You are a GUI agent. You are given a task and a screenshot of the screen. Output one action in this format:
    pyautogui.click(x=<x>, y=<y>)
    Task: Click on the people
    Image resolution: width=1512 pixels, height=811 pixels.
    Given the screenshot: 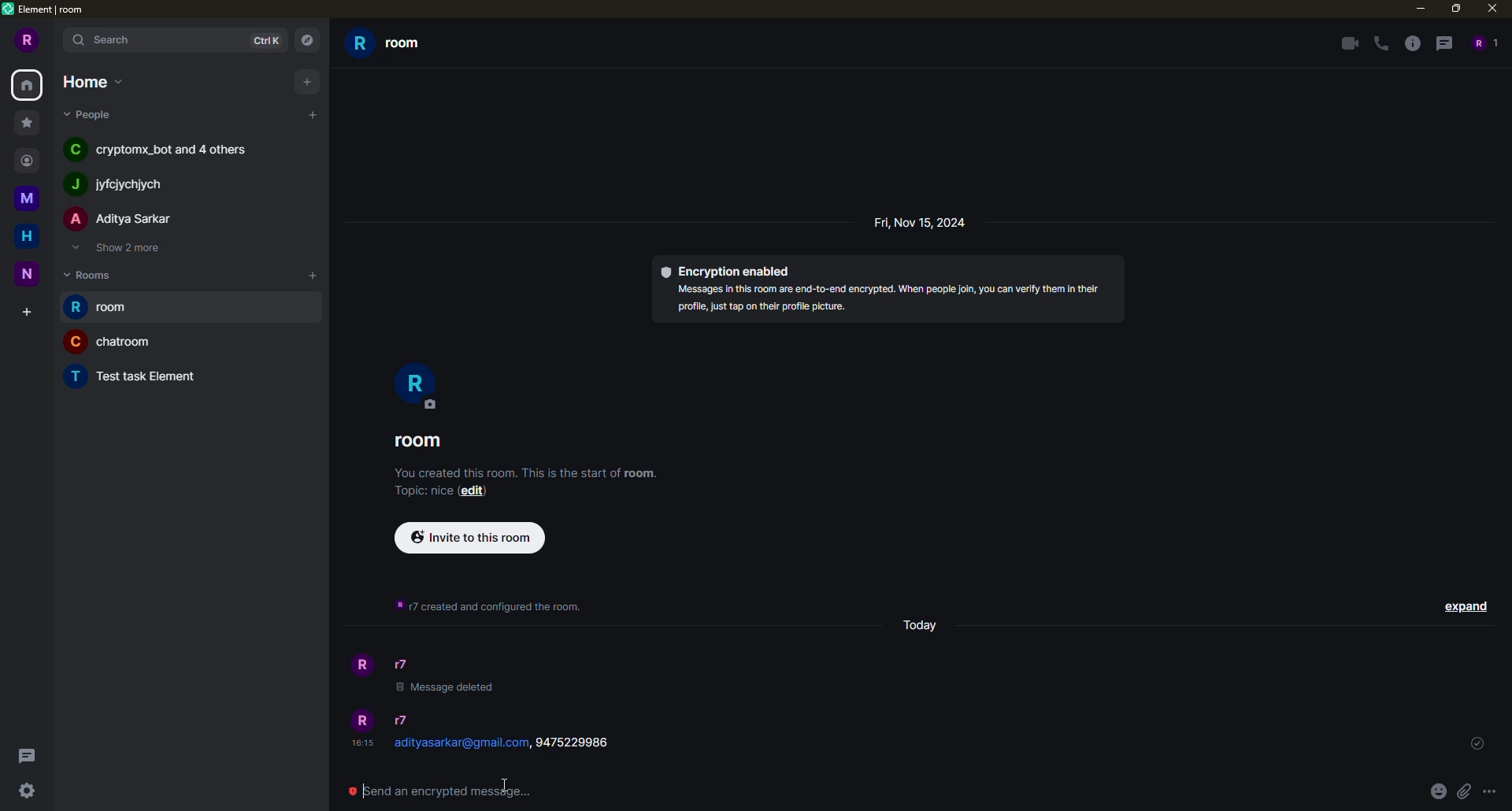 What is the action you would take?
    pyautogui.click(x=403, y=720)
    